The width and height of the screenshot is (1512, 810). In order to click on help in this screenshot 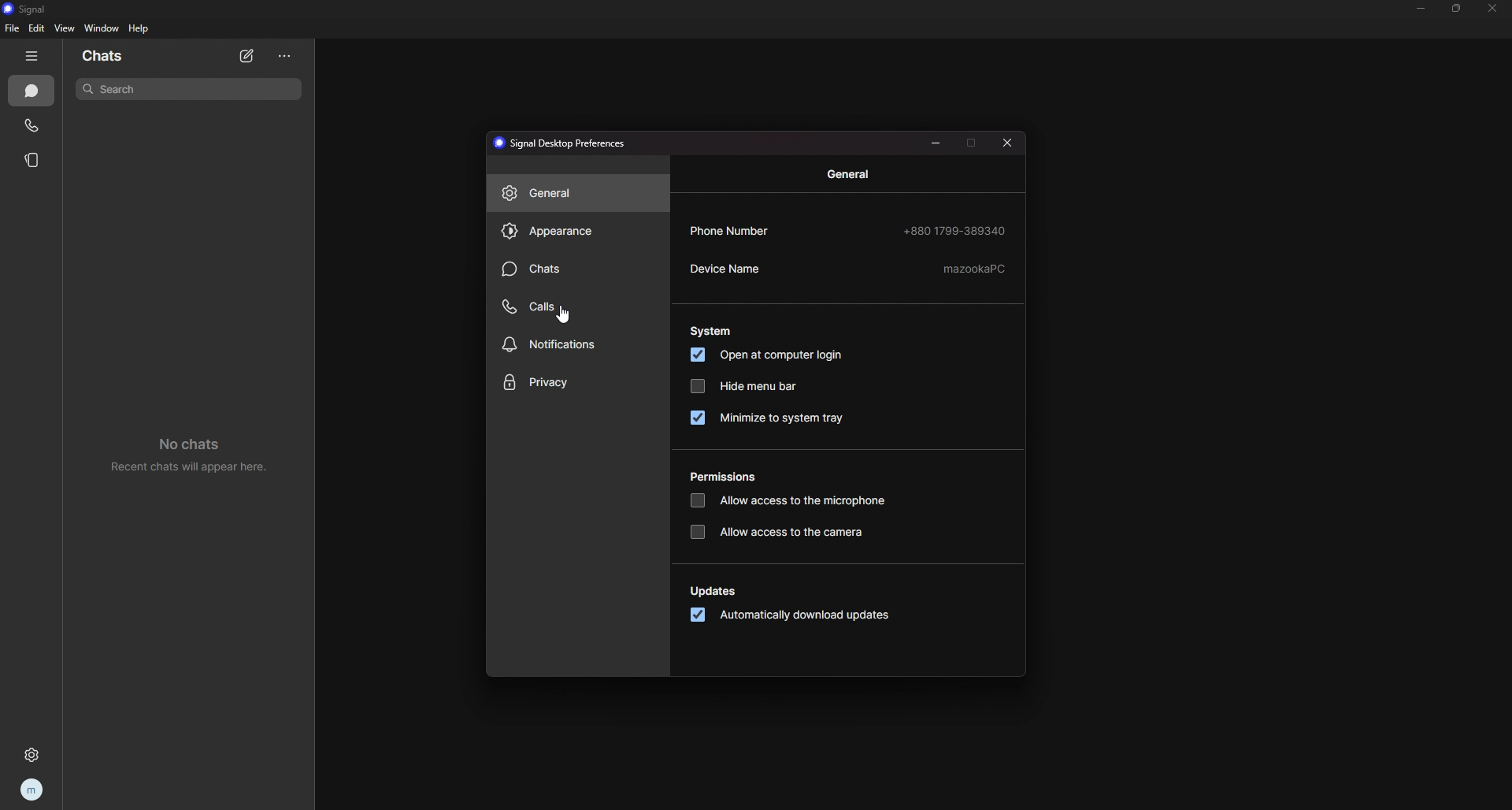, I will do `click(140, 28)`.